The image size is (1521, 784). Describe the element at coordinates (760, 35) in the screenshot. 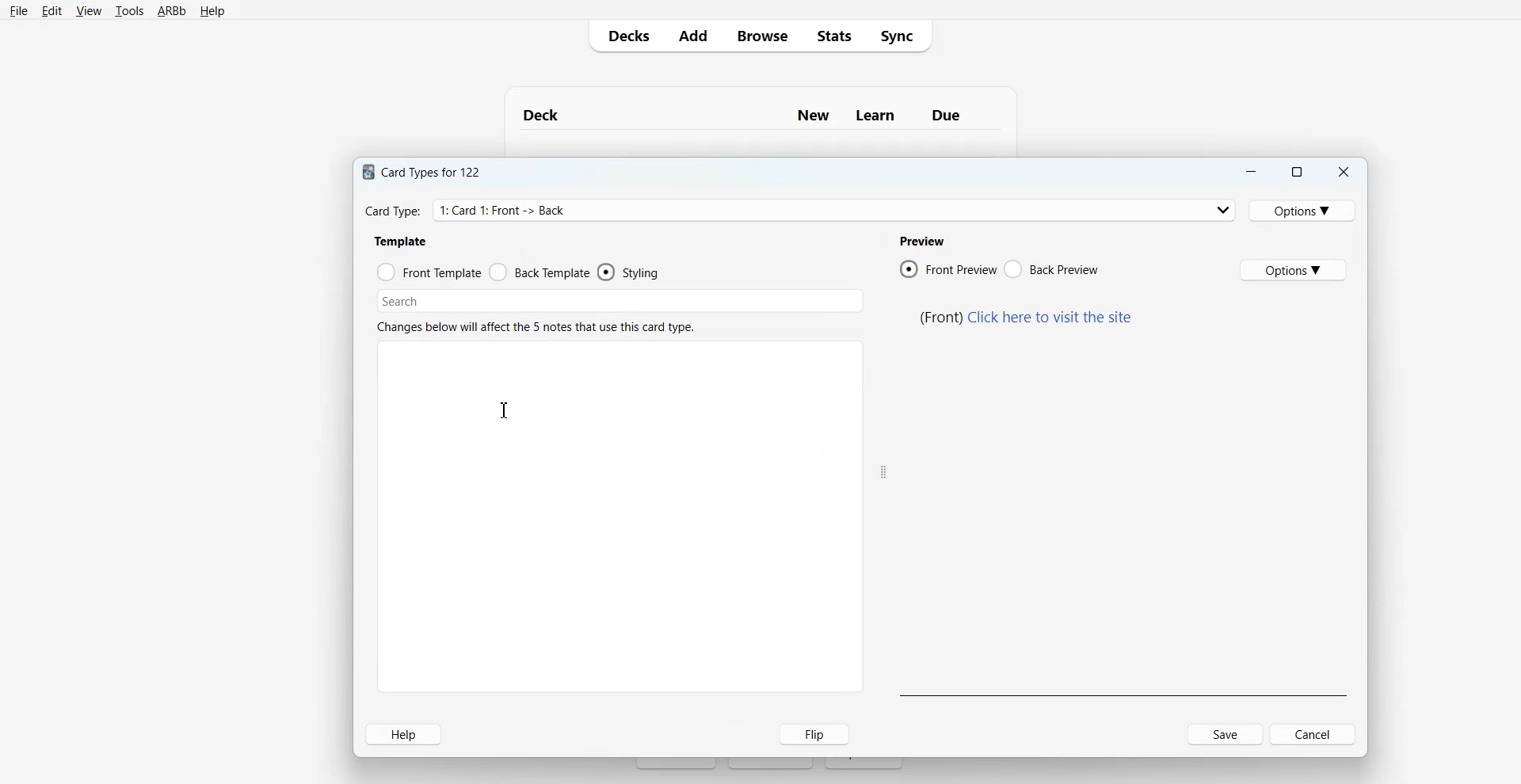

I see `Browser` at that location.